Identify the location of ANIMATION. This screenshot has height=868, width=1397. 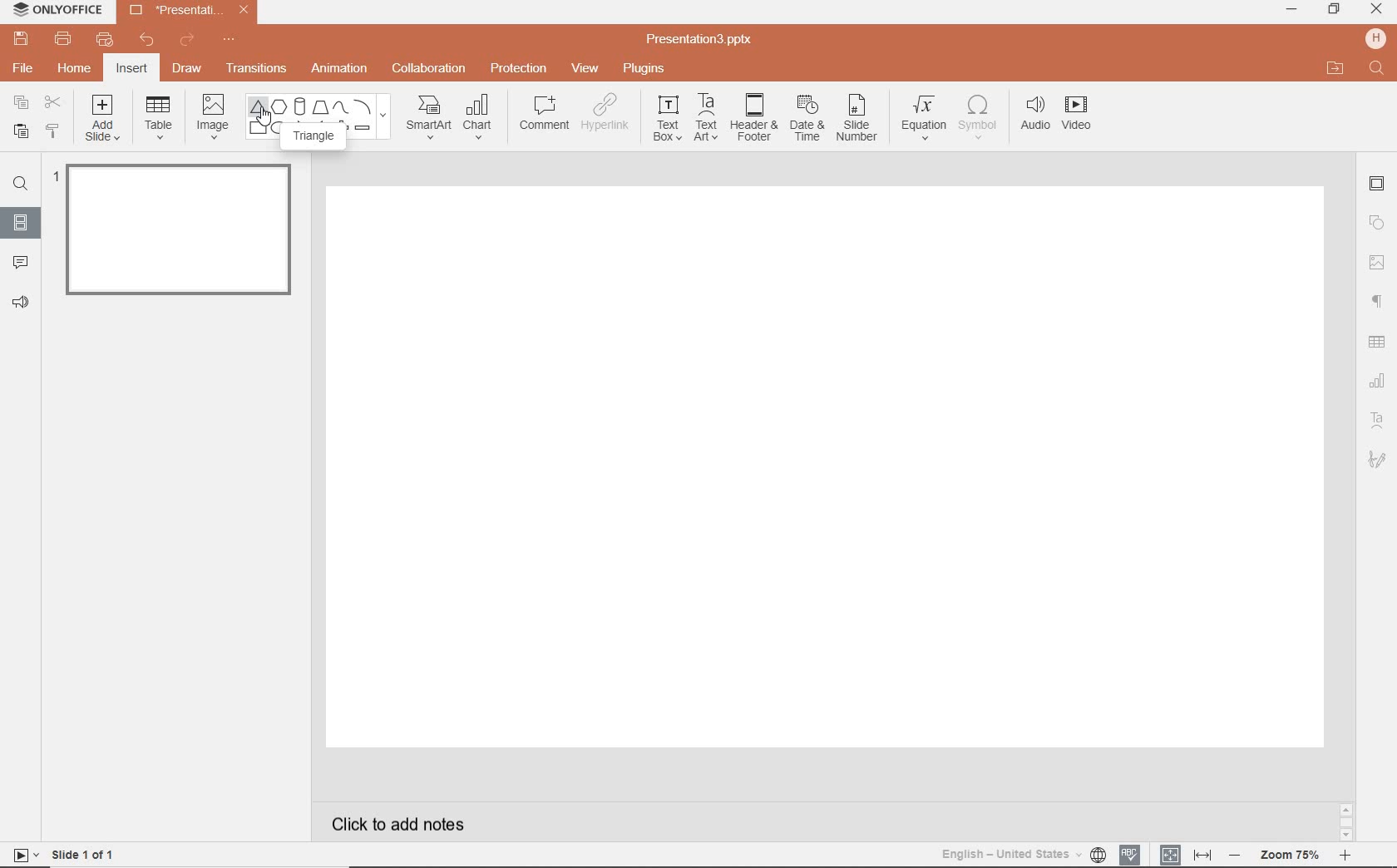
(338, 70).